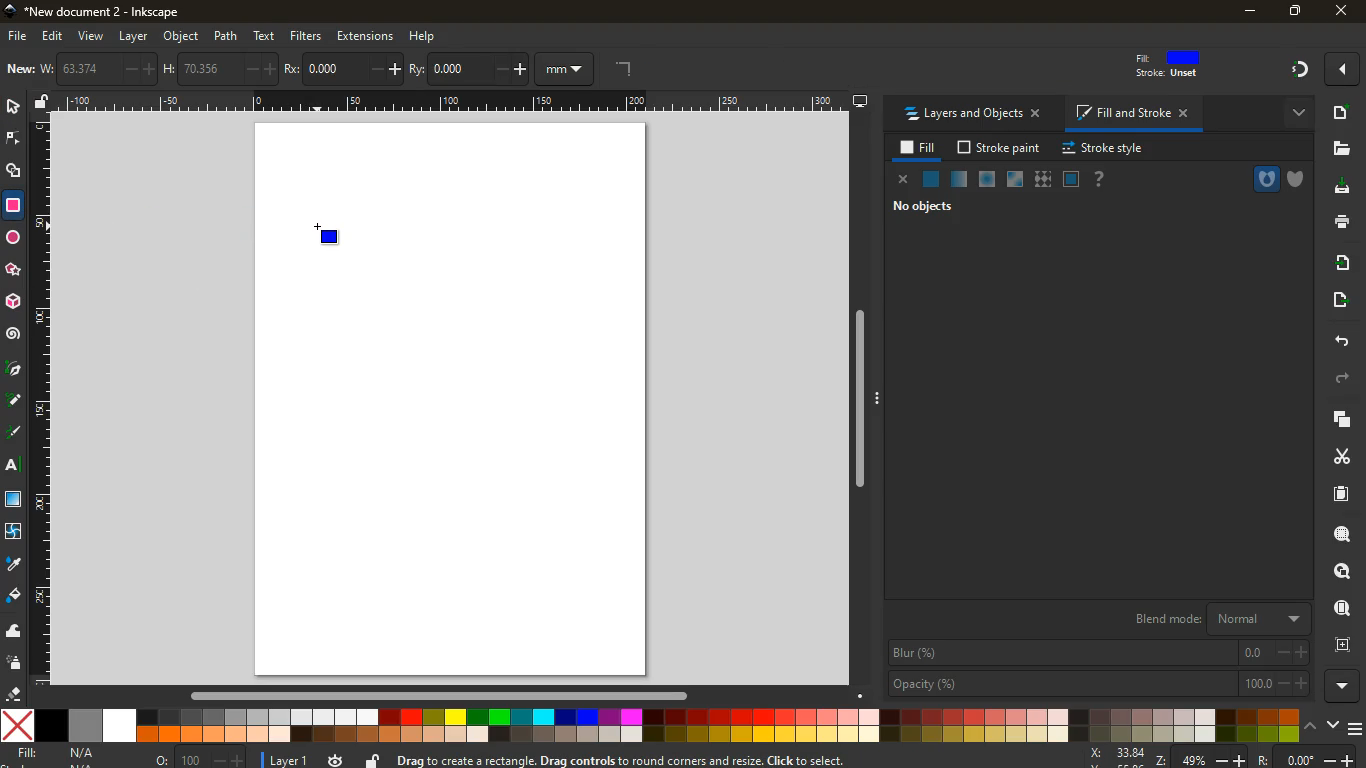 The width and height of the screenshot is (1366, 768). Describe the element at coordinates (451, 104) in the screenshot. I see `` at that location.